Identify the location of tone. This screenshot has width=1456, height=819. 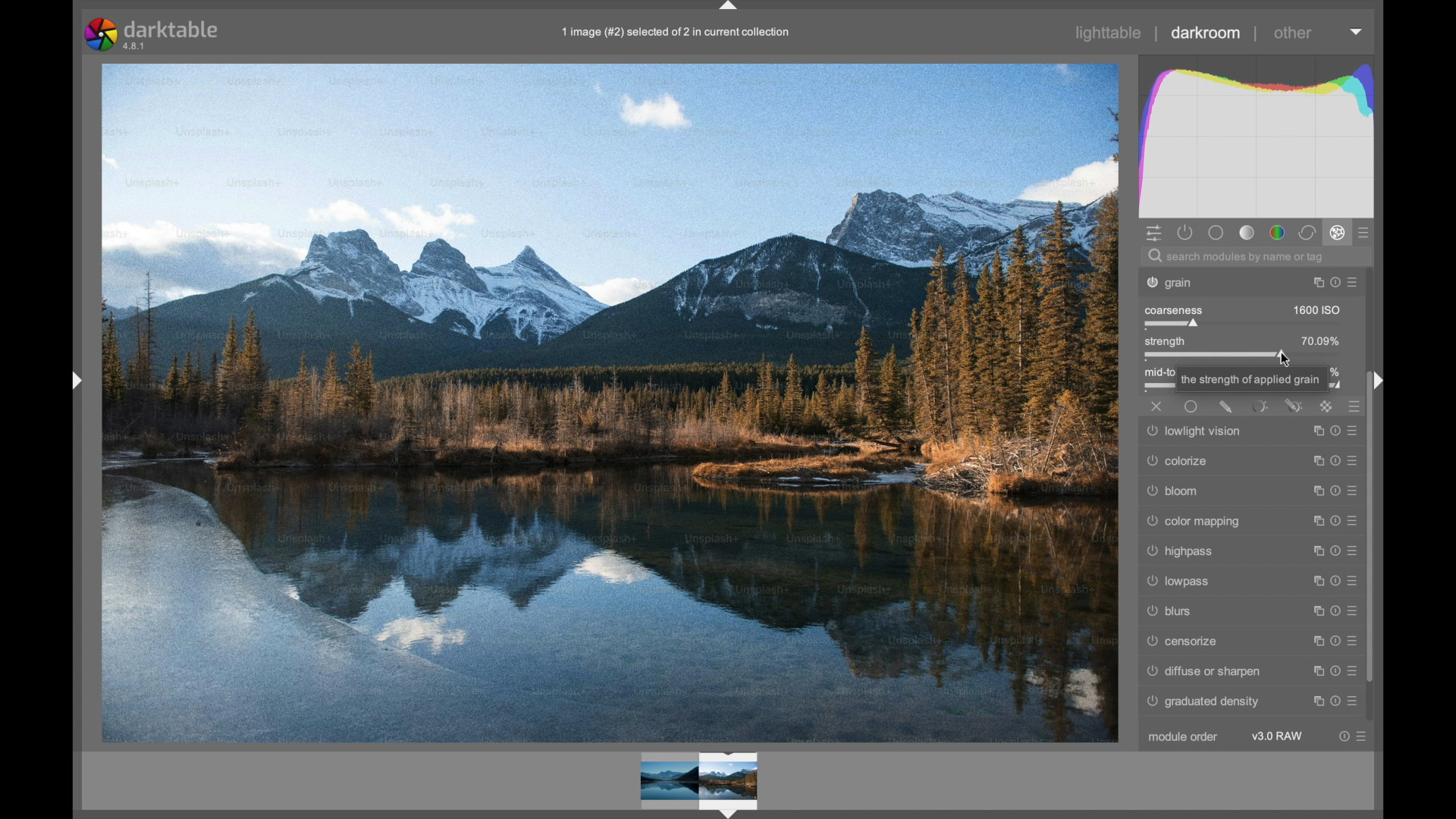
(1245, 233).